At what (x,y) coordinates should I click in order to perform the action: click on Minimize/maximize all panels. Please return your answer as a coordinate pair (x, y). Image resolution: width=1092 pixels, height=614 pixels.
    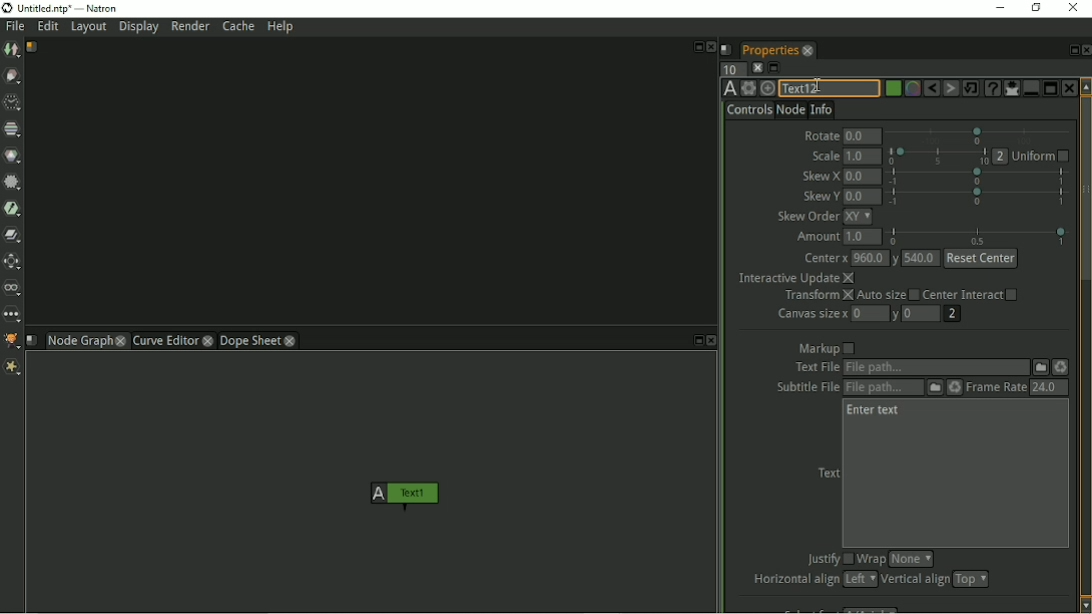
    Looking at the image, I should click on (775, 68).